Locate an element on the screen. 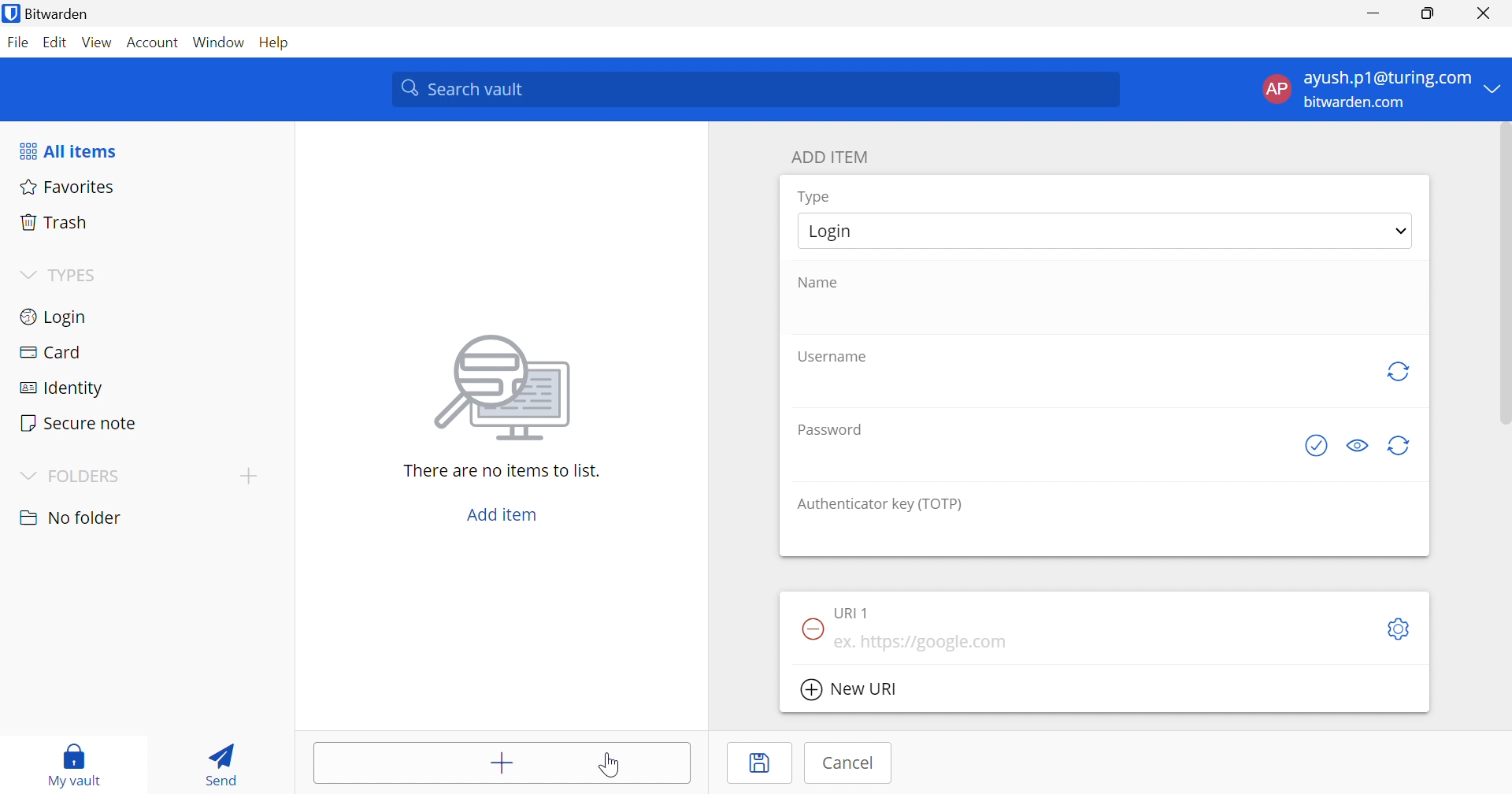  Search vault is located at coordinates (757, 89).